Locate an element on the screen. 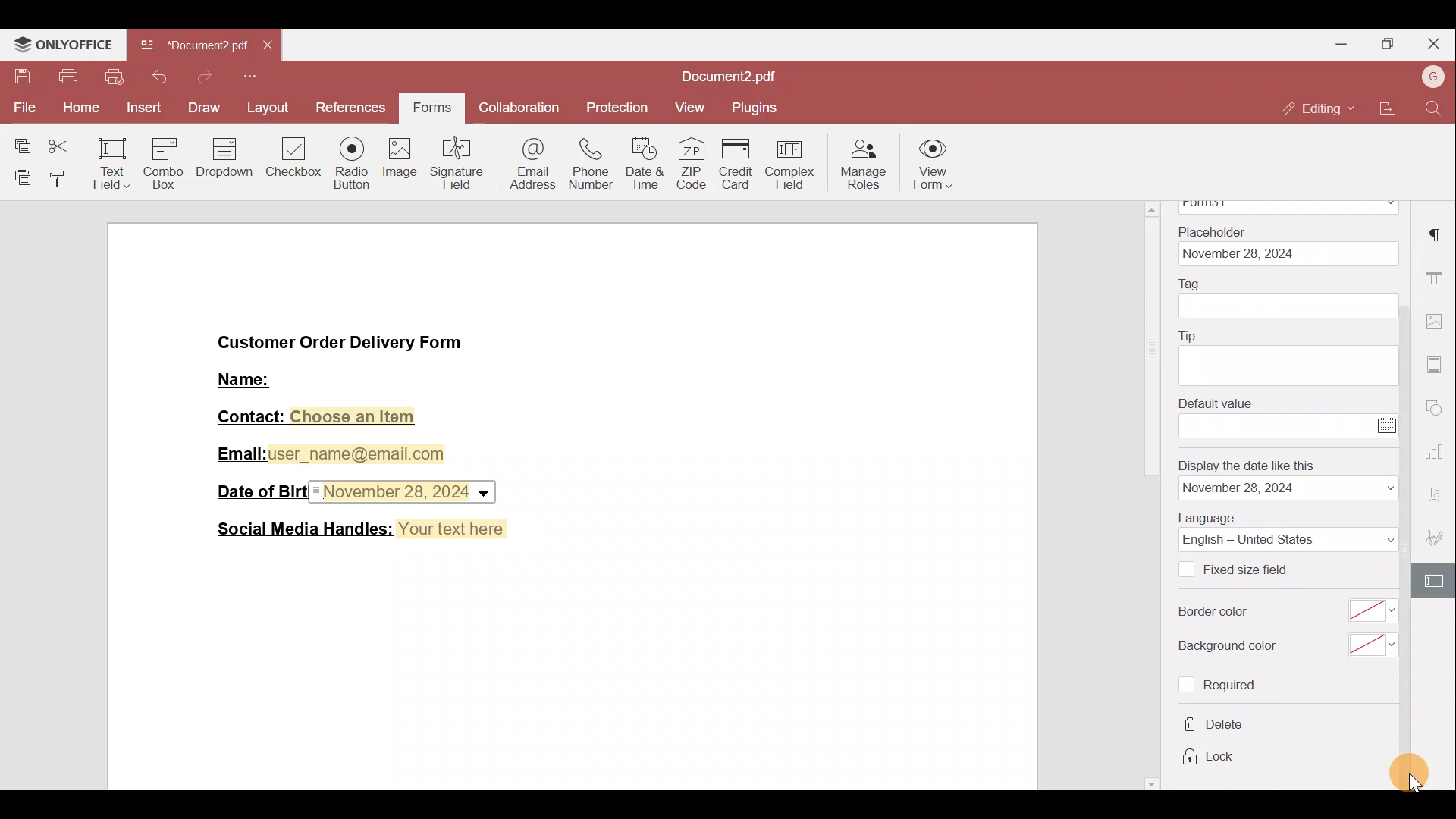 The image size is (1456, 819). select border color is located at coordinates (1373, 610).